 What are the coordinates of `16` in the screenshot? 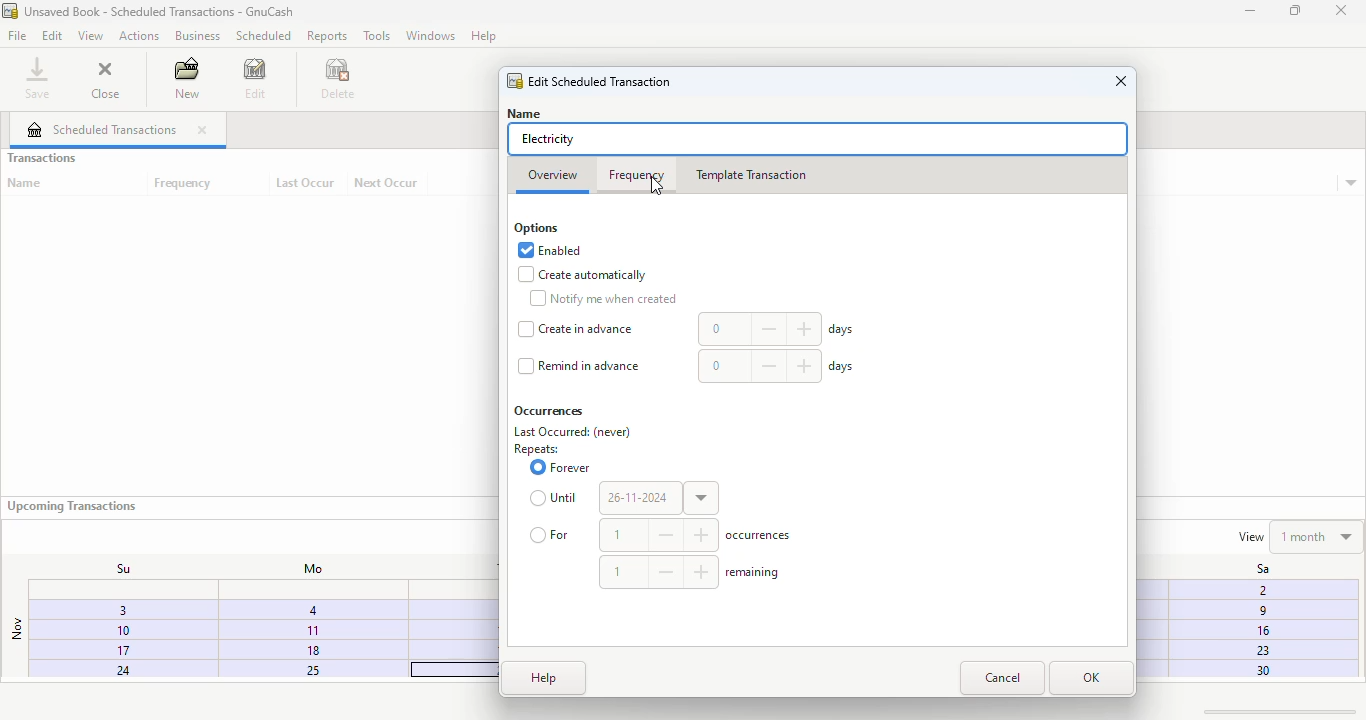 It's located at (1261, 631).